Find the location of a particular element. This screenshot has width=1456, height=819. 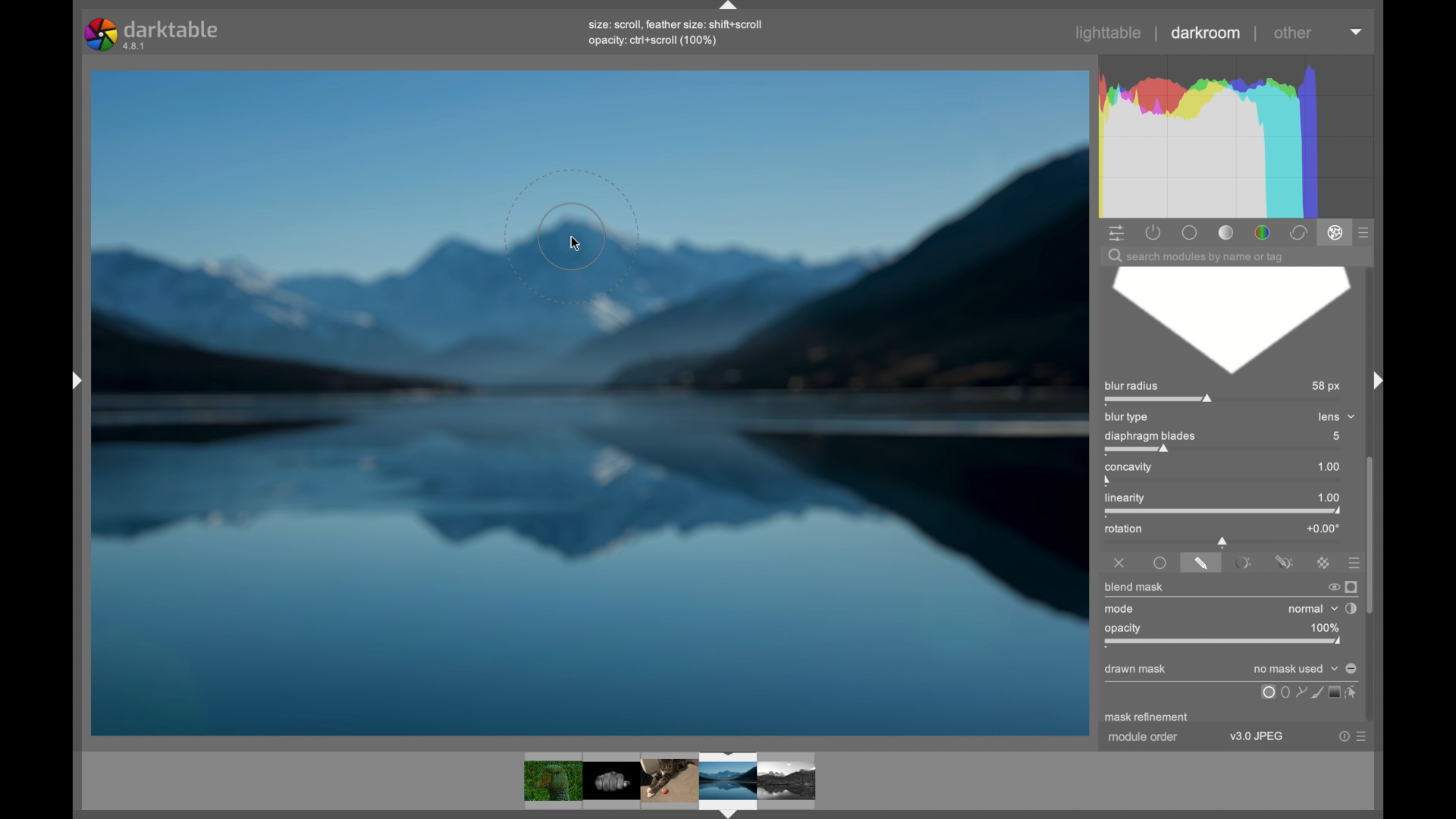

opacity is located at coordinates (1125, 628).